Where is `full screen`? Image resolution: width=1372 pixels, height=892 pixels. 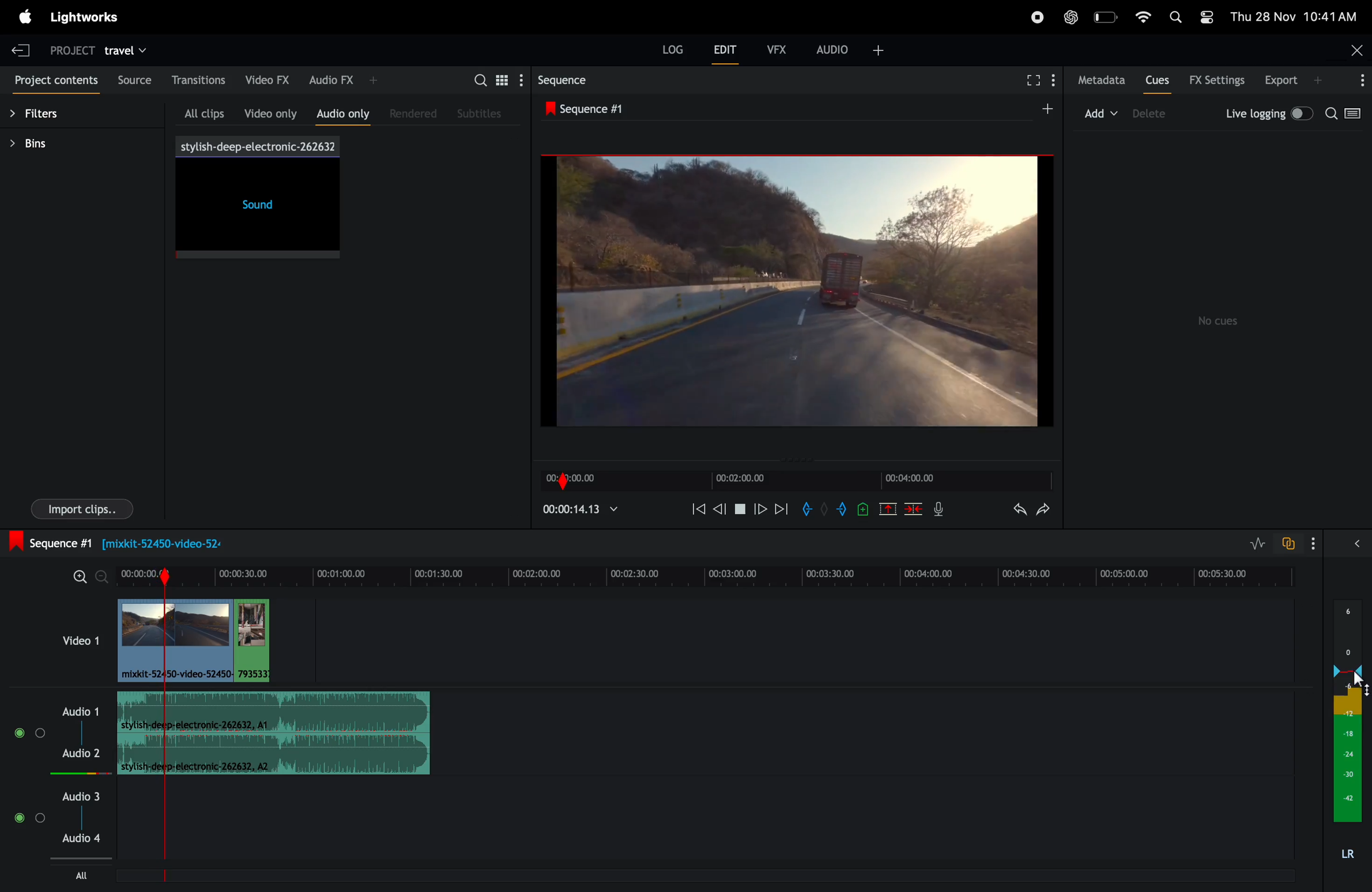 full screen is located at coordinates (1036, 80).